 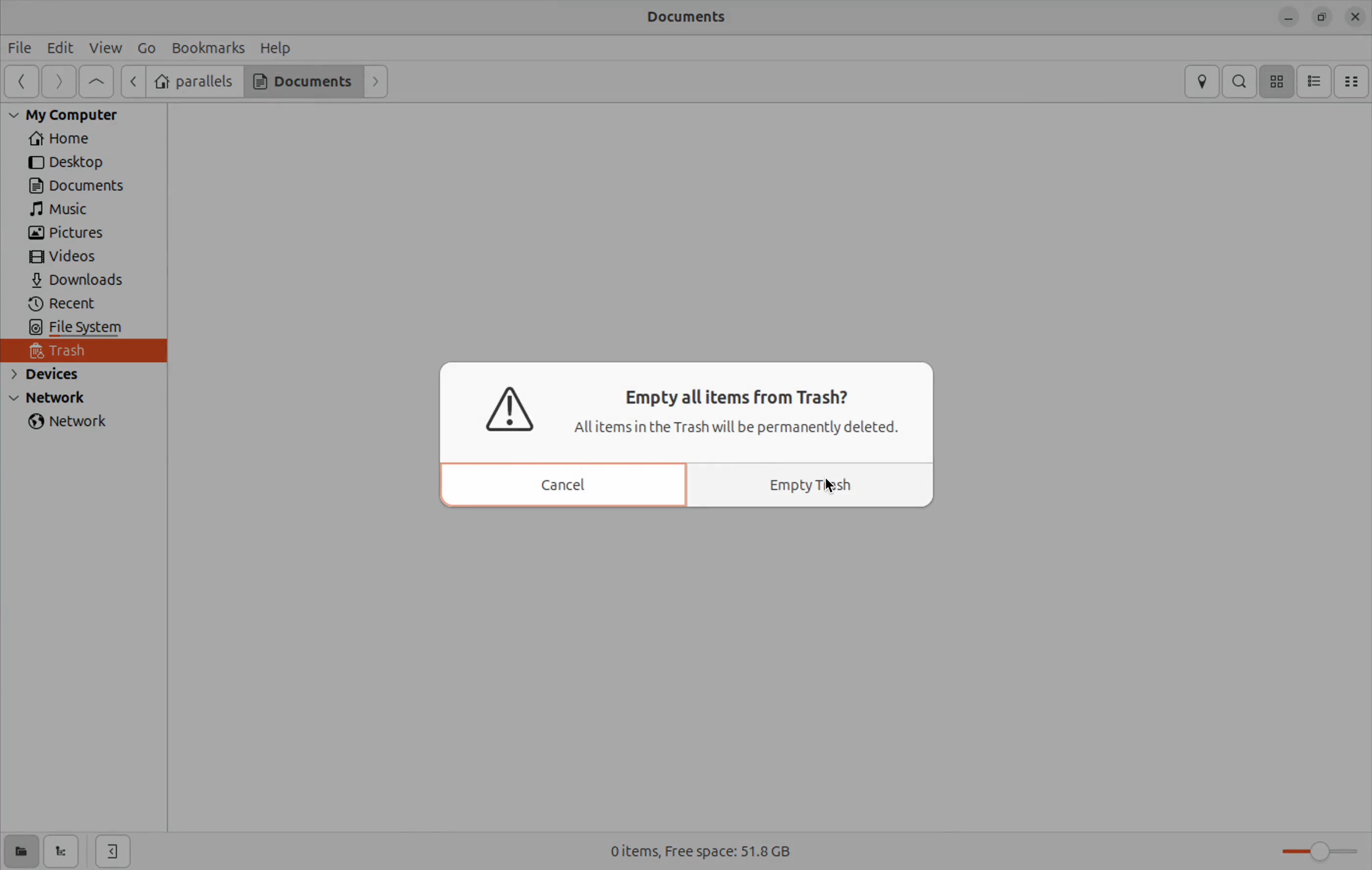 What do you see at coordinates (378, 82) in the screenshot?
I see `Forward` at bounding box center [378, 82].